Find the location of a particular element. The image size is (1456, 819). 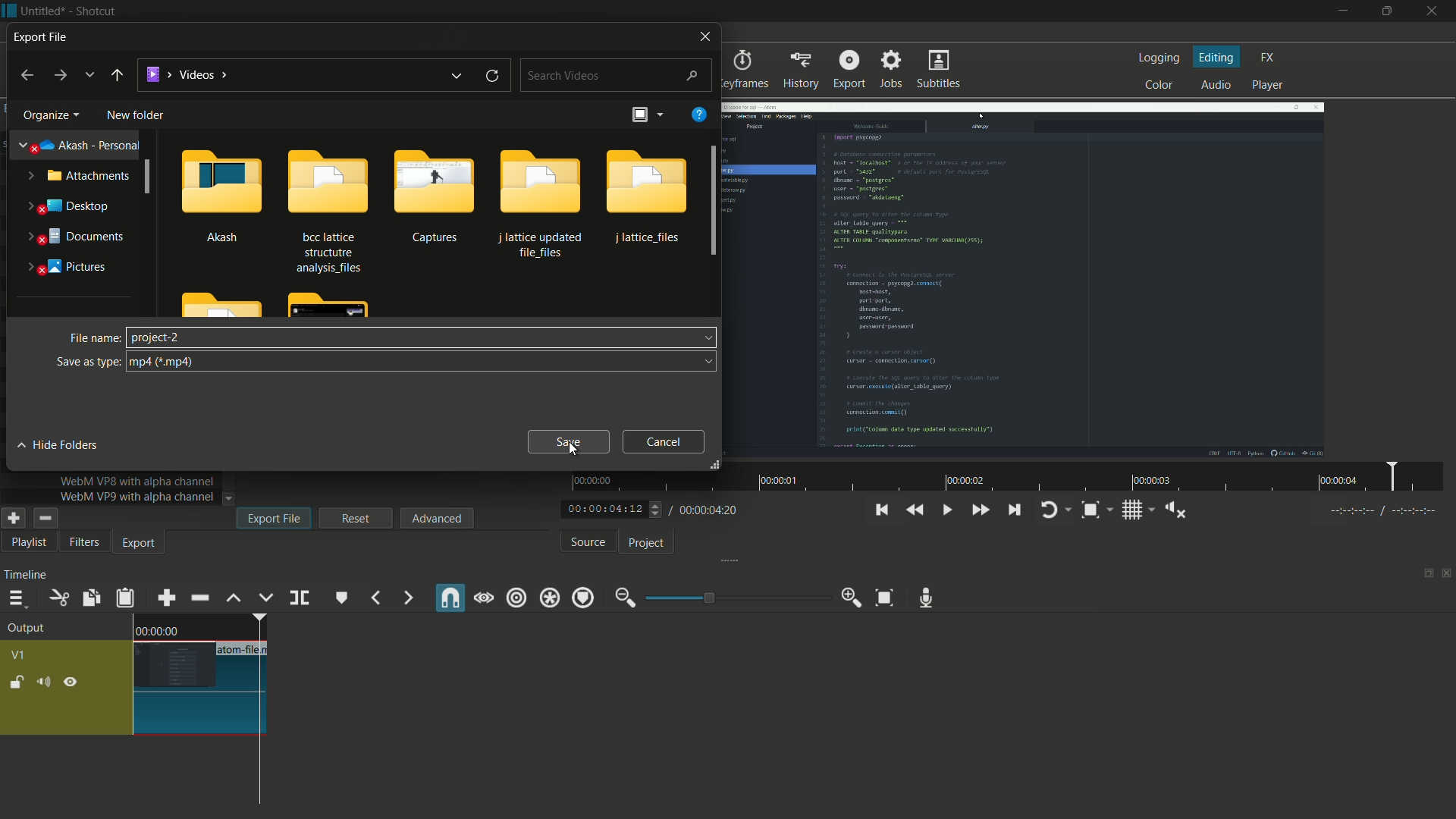

create or edit marker is located at coordinates (340, 599).